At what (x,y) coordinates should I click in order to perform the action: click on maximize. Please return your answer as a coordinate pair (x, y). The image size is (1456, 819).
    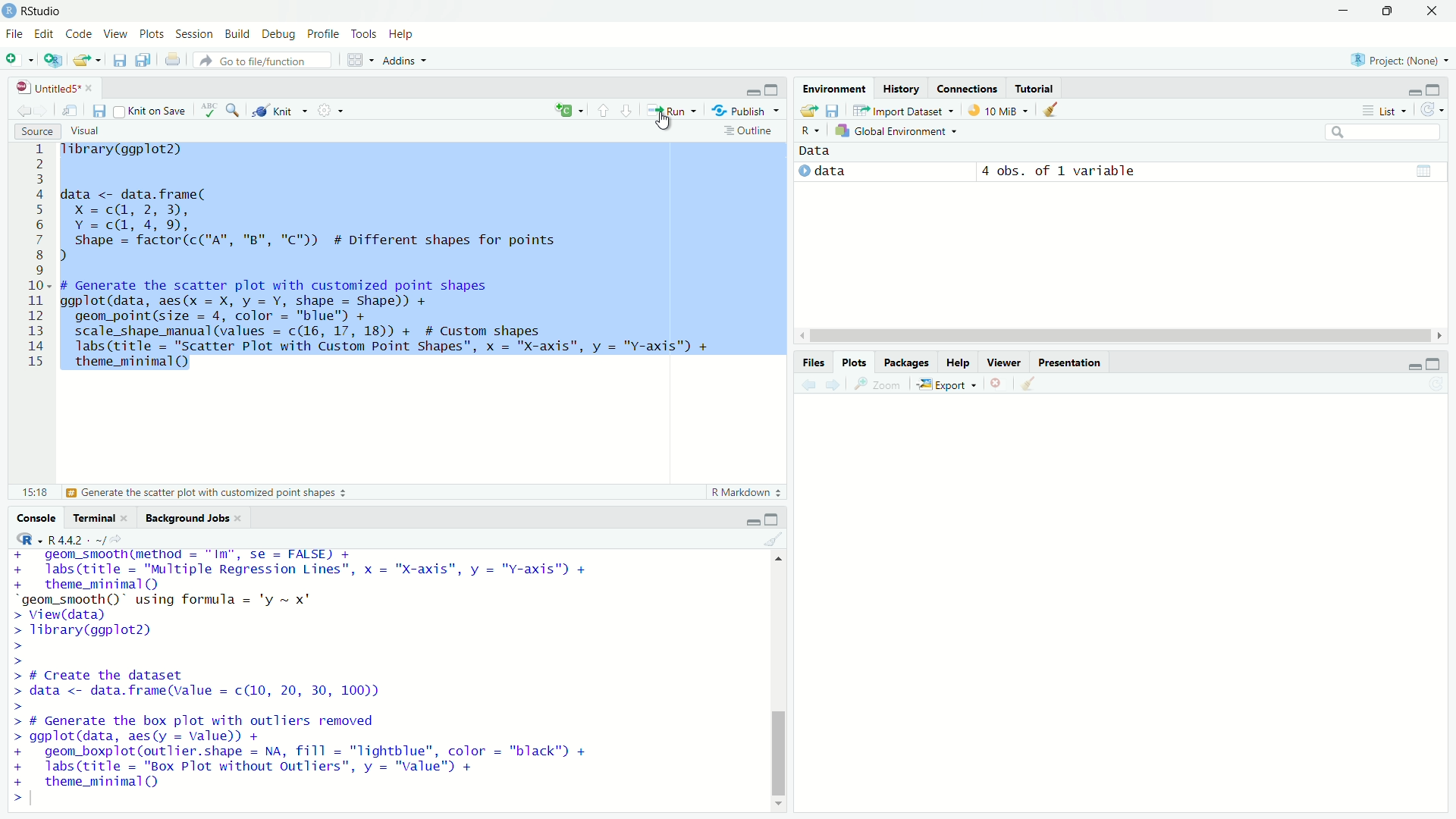
    Looking at the image, I should click on (772, 519).